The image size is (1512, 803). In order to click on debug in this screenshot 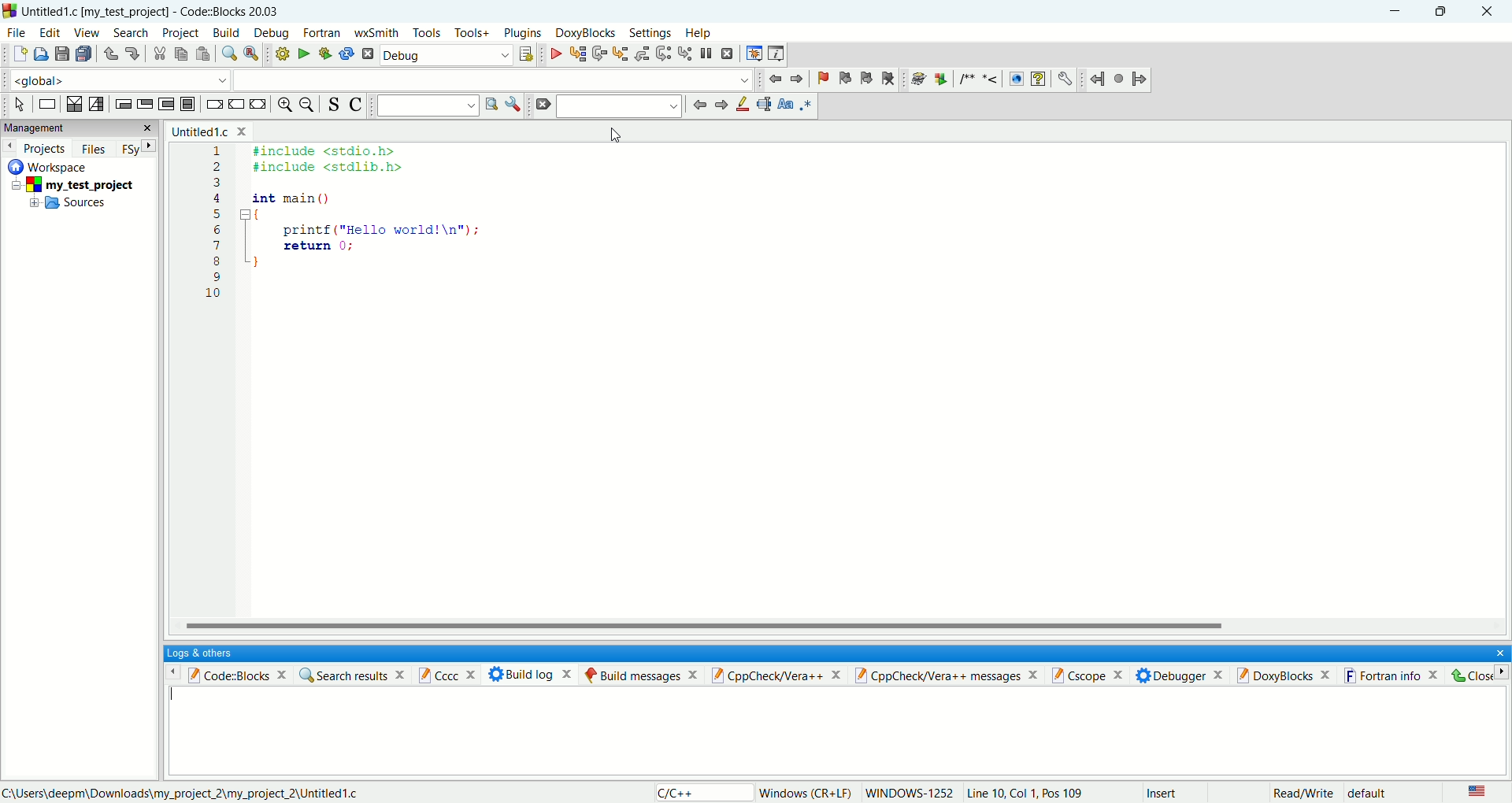, I will do `click(446, 57)`.